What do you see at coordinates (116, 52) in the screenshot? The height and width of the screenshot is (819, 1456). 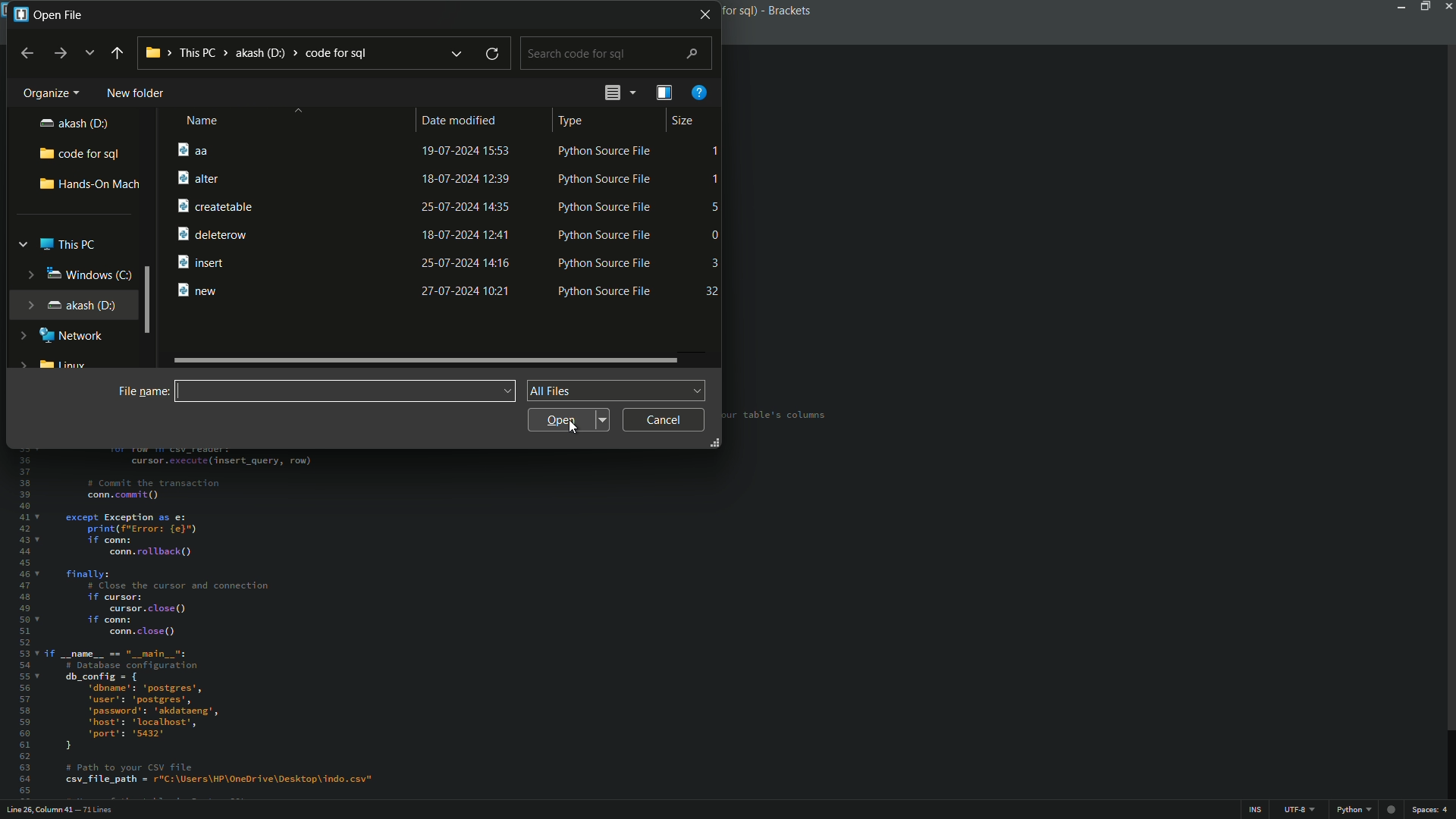 I see `back` at bounding box center [116, 52].